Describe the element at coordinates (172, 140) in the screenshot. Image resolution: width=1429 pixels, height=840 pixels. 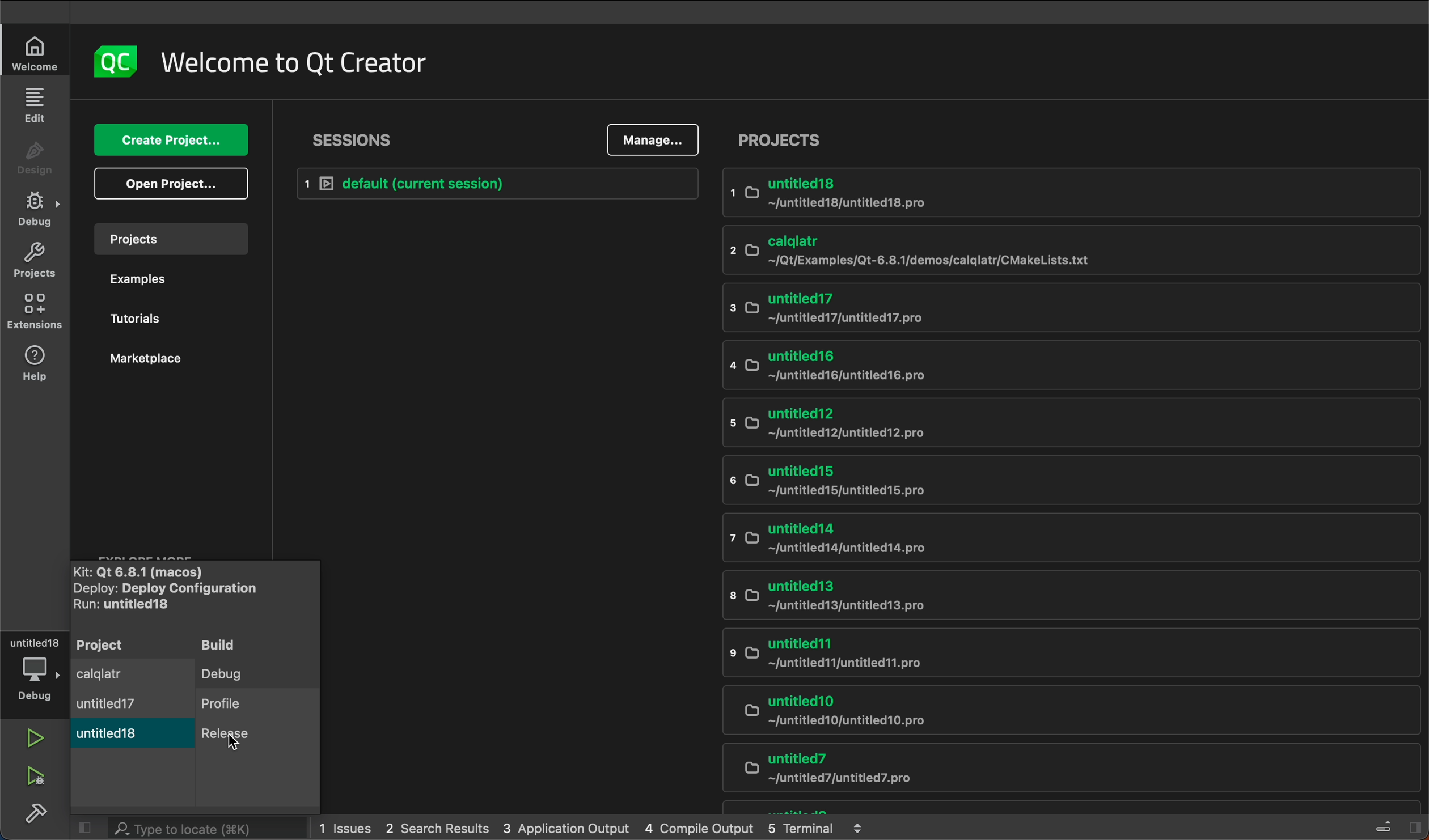
I see `create` at that location.